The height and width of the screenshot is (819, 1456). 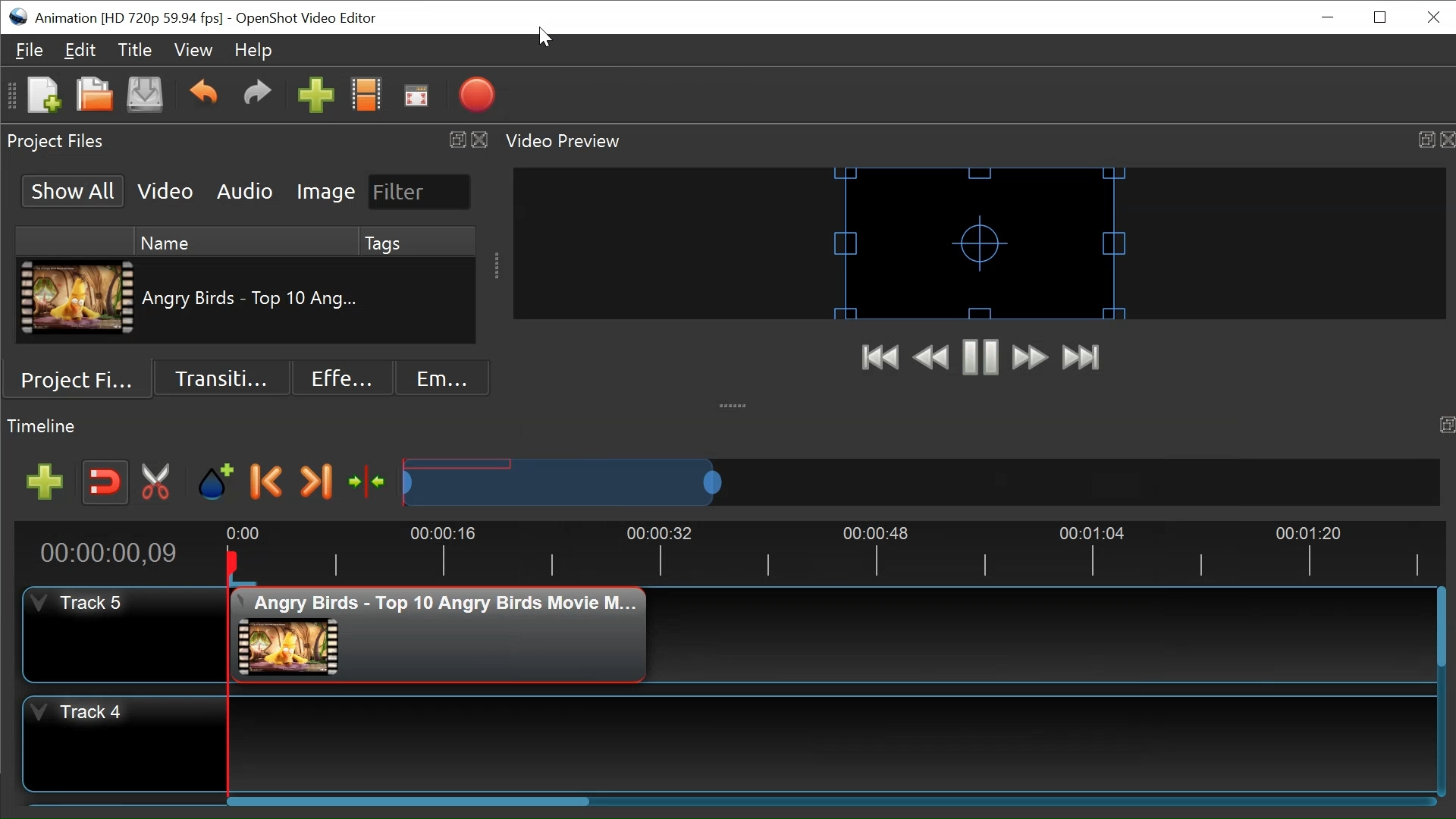 I want to click on Track Header, so click(x=125, y=744).